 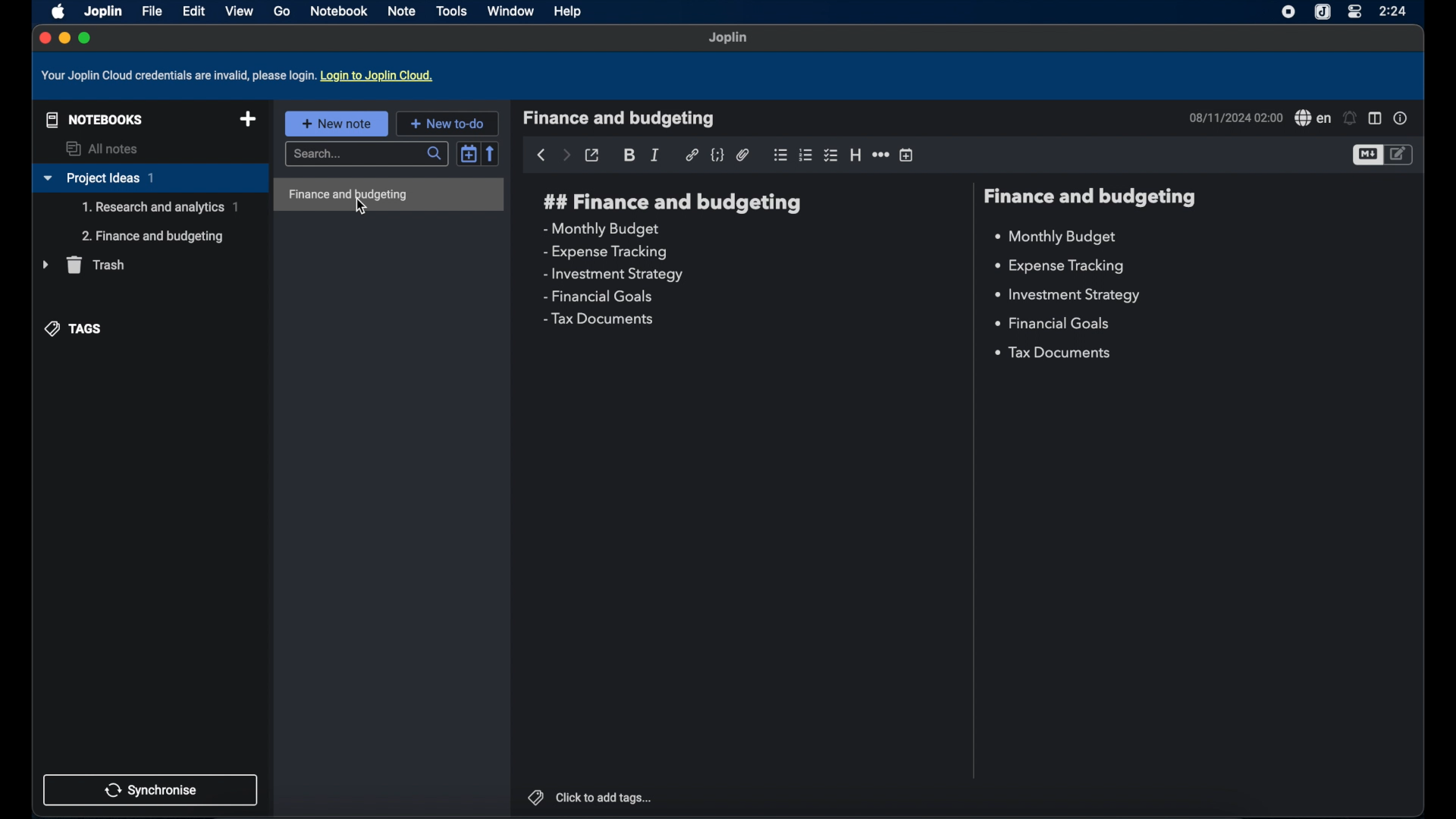 What do you see at coordinates (1052, 322) in the screenshot?
I see `financial goals` at bounding box center [1052, 322].